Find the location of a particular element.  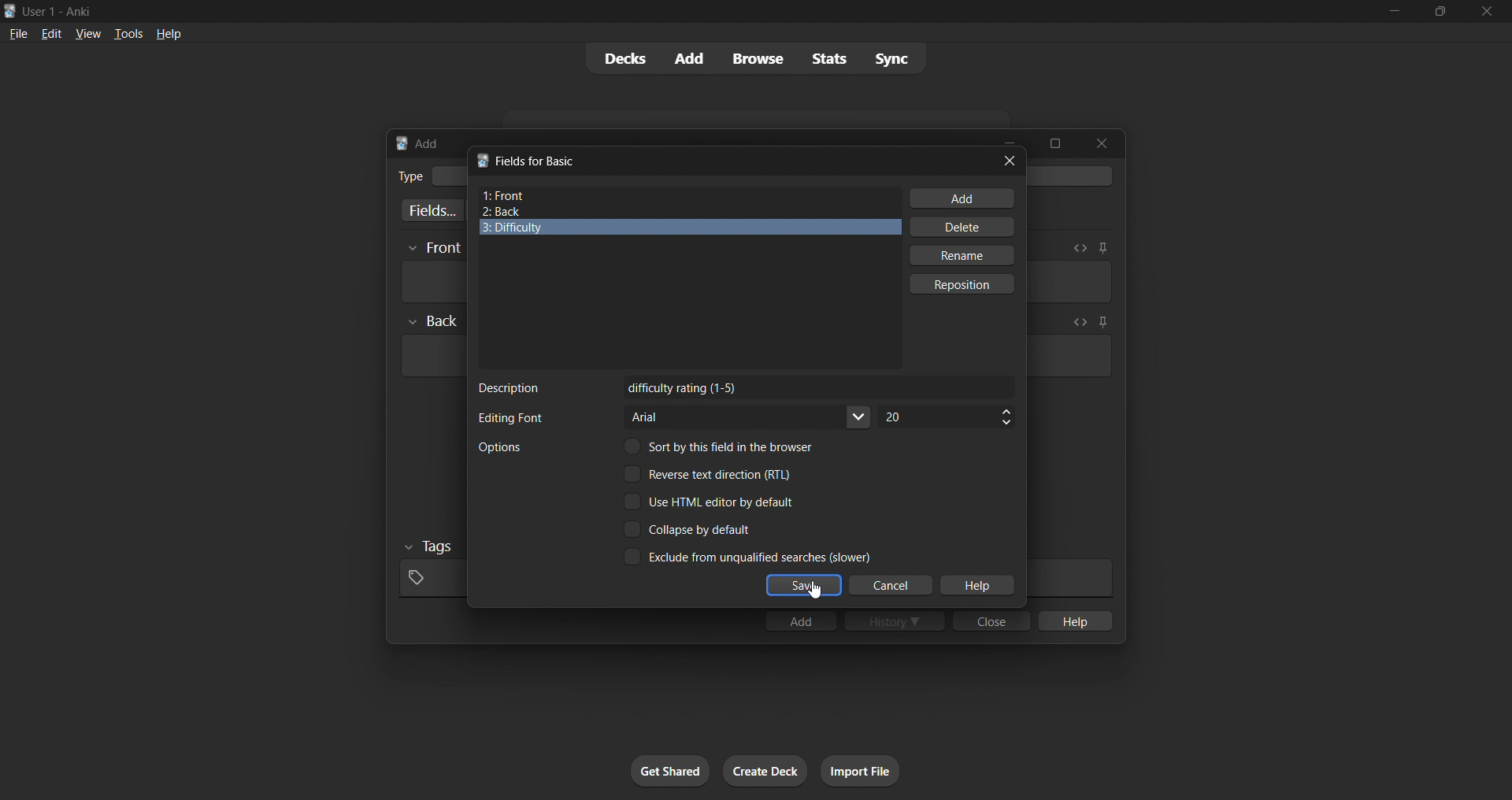

 is located at coordinates (430, 547).